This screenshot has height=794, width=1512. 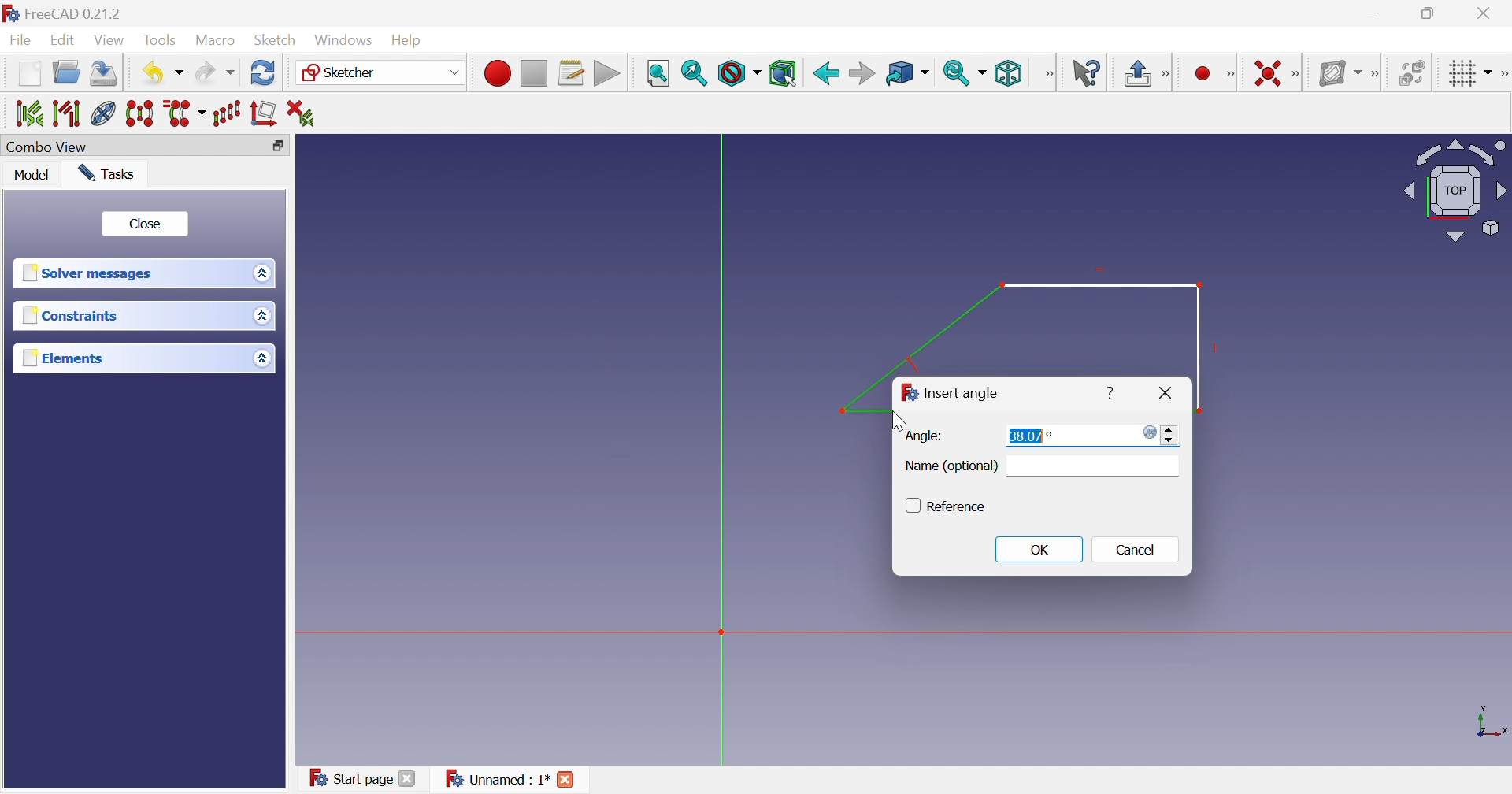 I want to click on Cancel, so click(x=1141, y=552).